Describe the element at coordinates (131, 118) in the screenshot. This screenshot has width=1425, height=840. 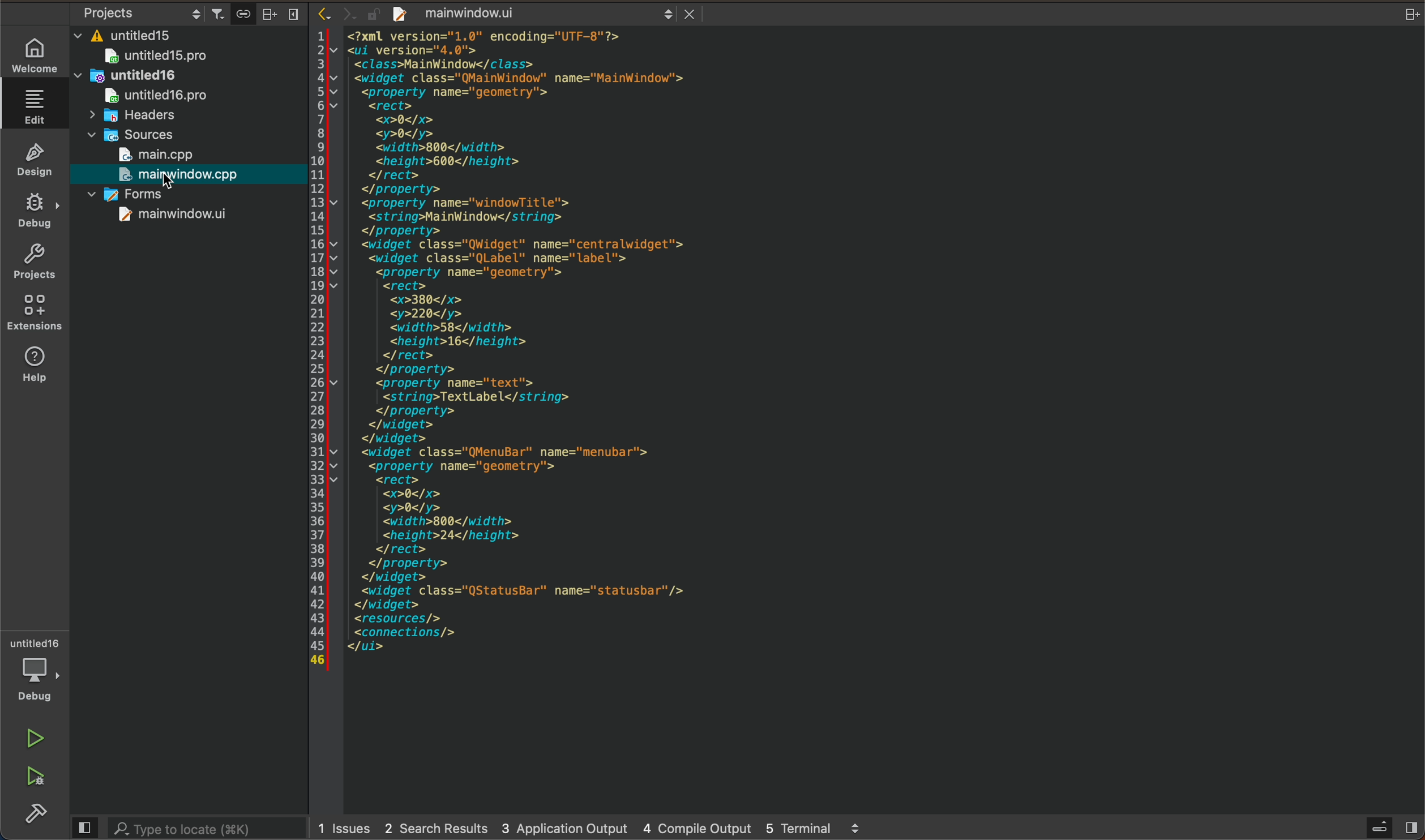
I see `headers` at that location.